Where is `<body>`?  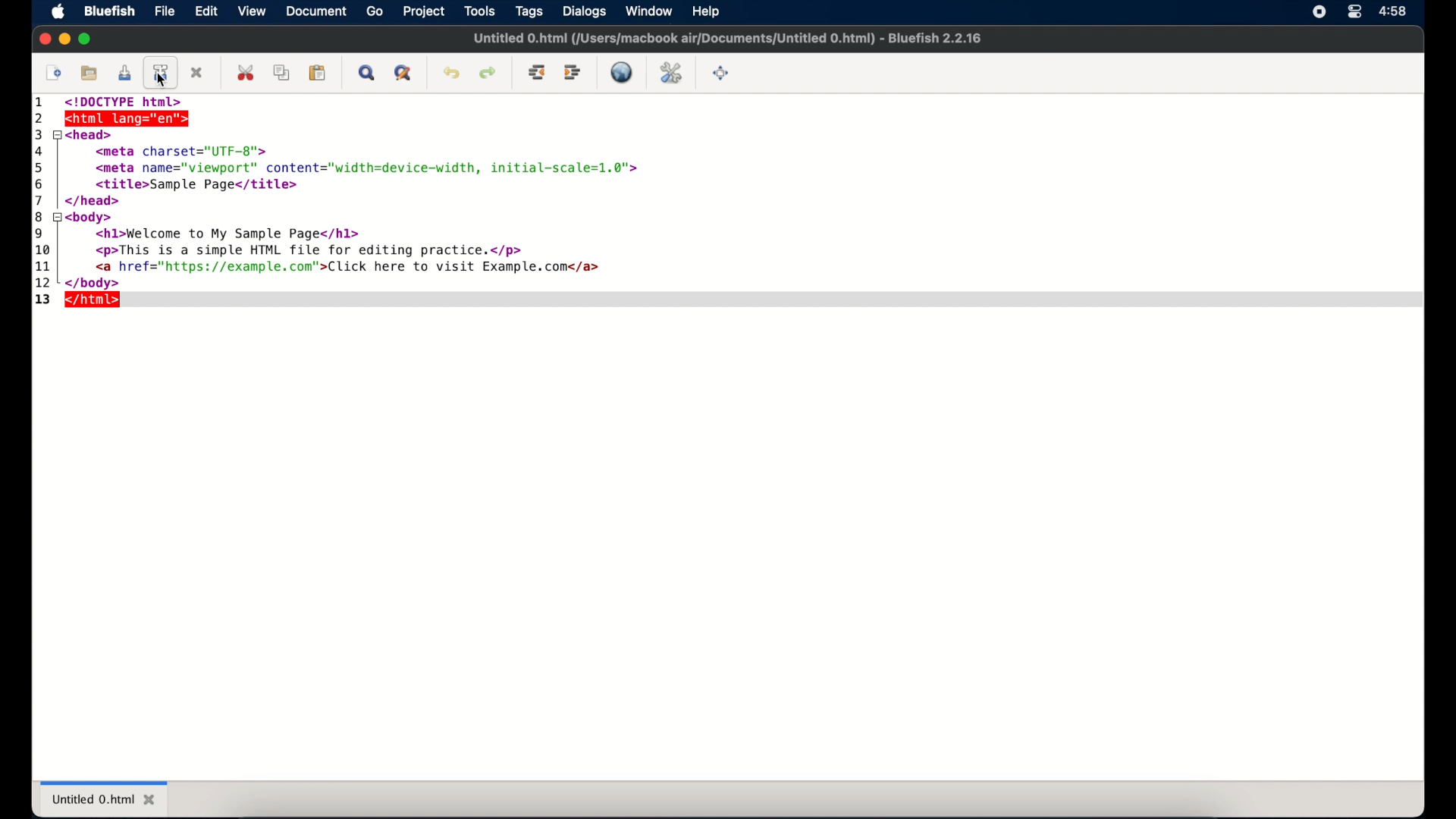
<body> is located at coordinates (90, 216).